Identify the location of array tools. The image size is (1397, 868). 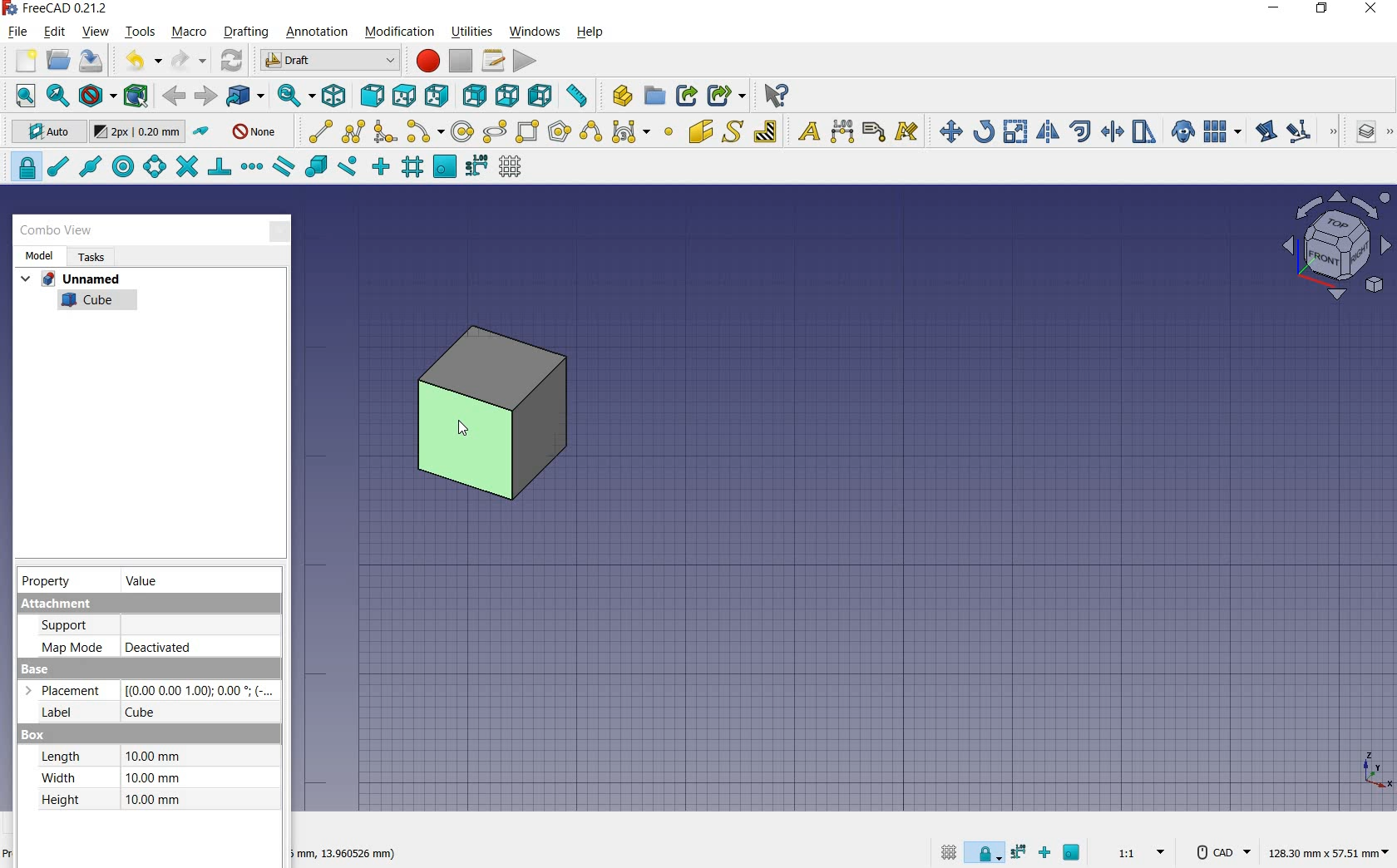
(1221, 131).